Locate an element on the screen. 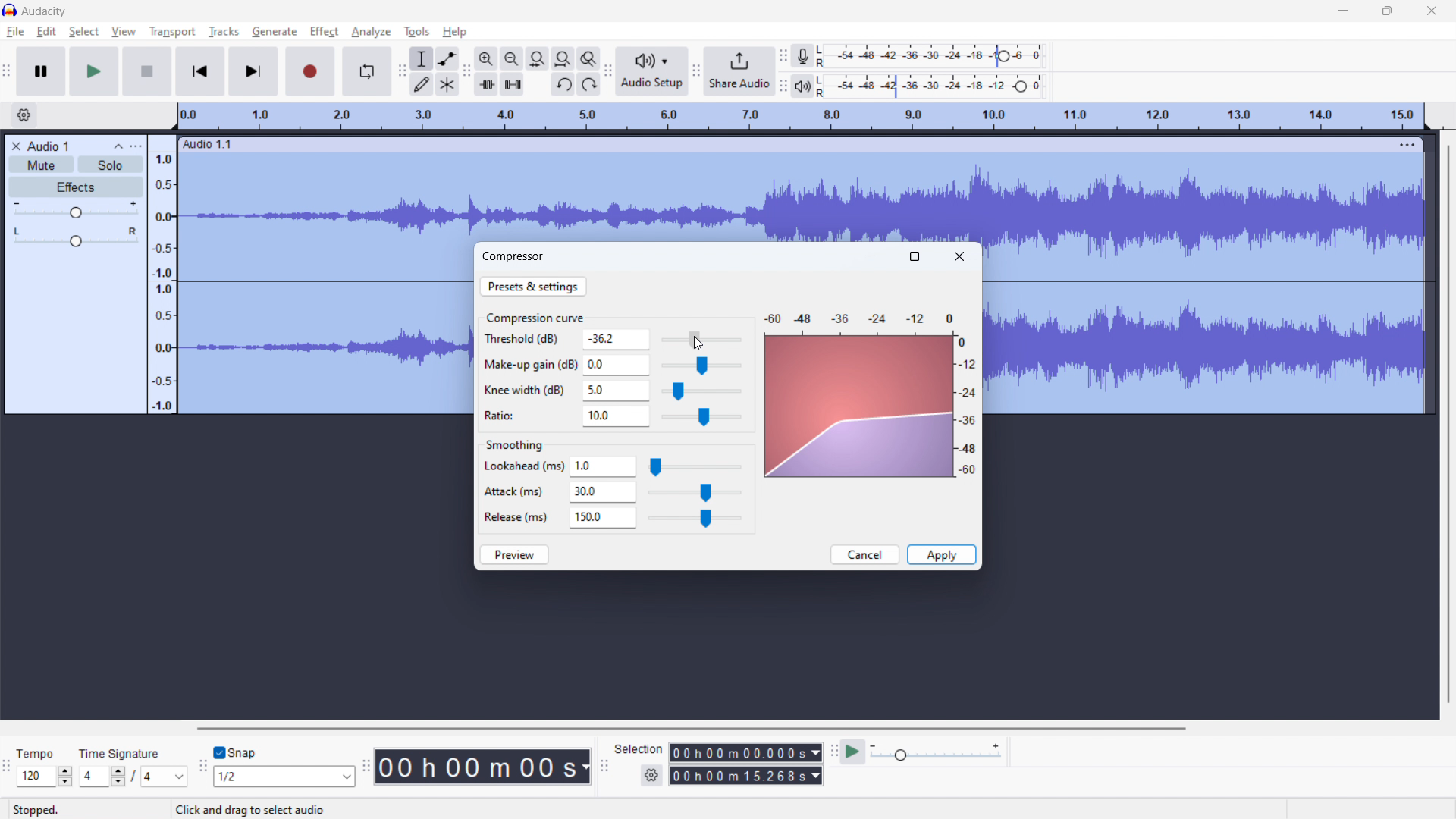  stop is located at coordinates (147, 71).